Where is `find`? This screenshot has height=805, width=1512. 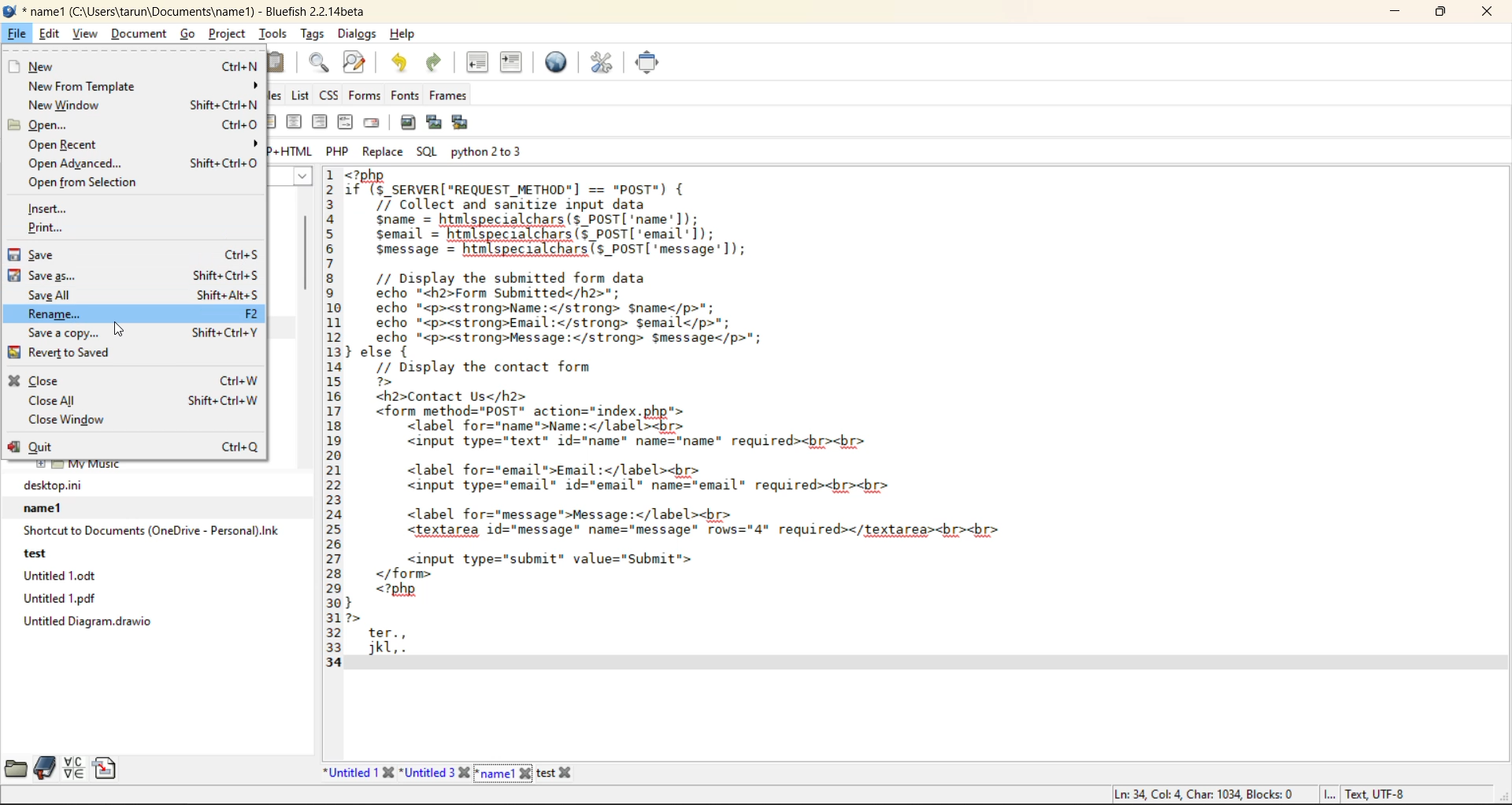 find is located at coordinates (320, 61).